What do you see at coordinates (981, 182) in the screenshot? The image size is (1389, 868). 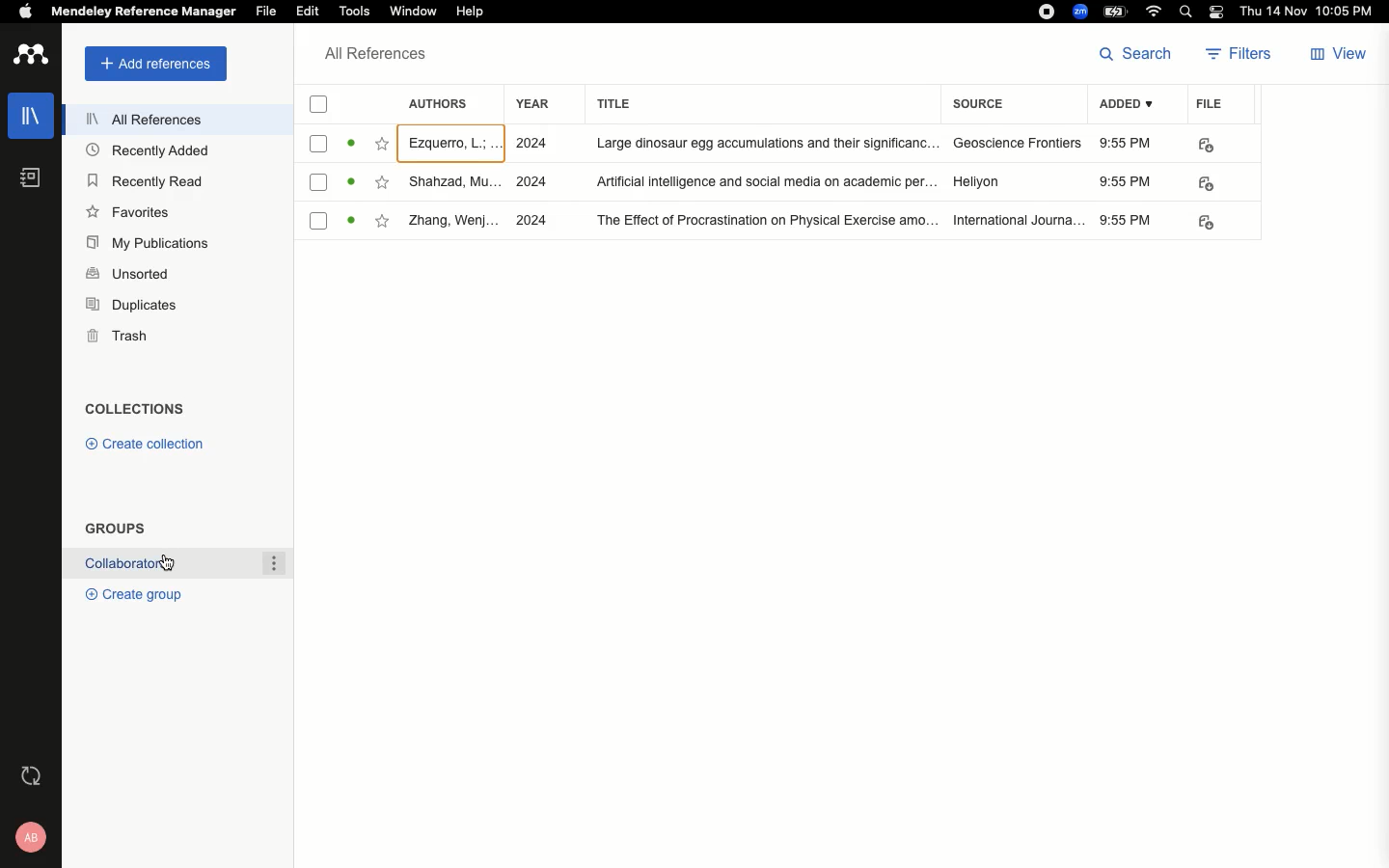 I see `Hellyon` at bounding box center [981, 182].